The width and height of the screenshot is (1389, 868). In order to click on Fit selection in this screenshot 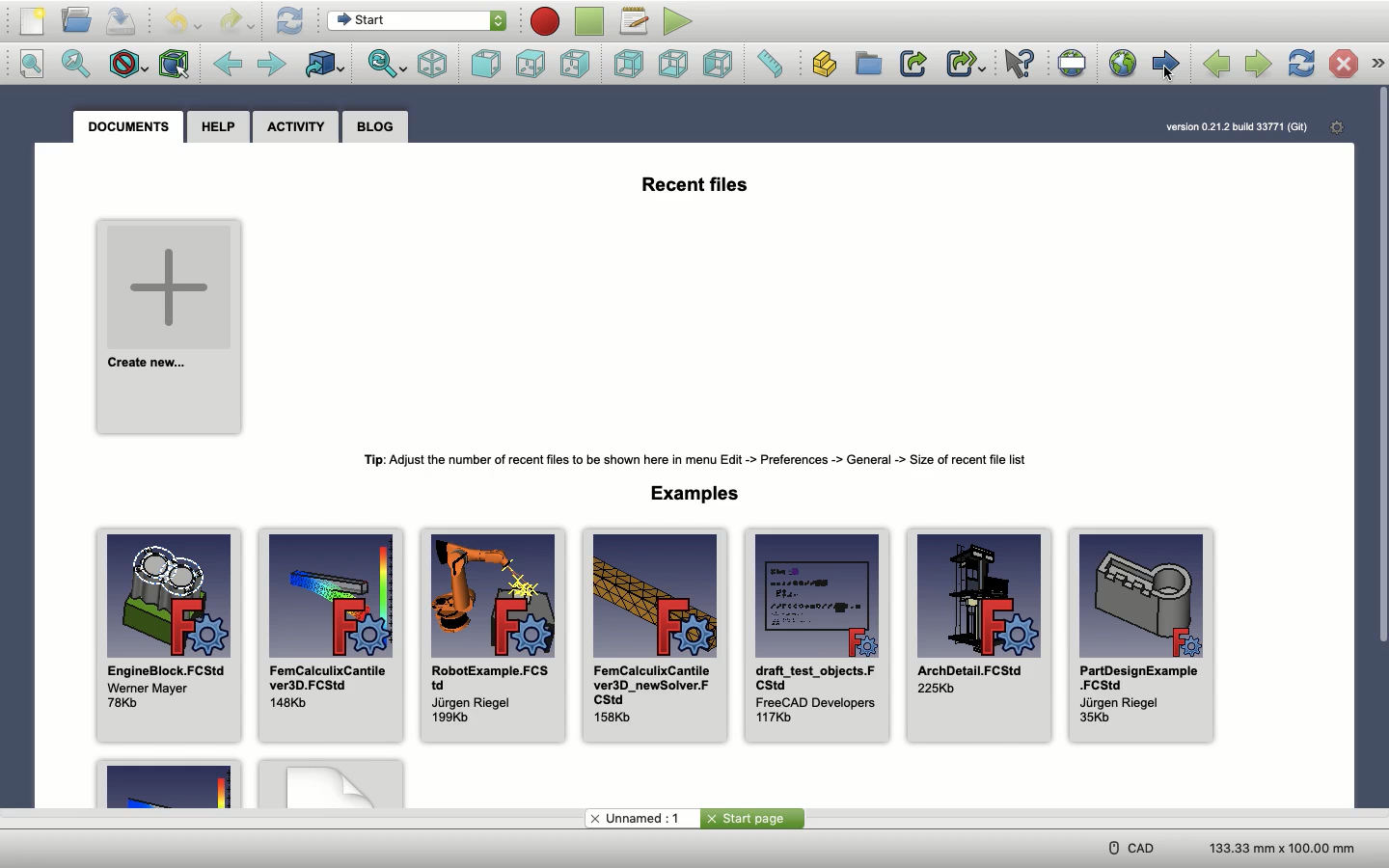, I will do `click(80, 65)`.